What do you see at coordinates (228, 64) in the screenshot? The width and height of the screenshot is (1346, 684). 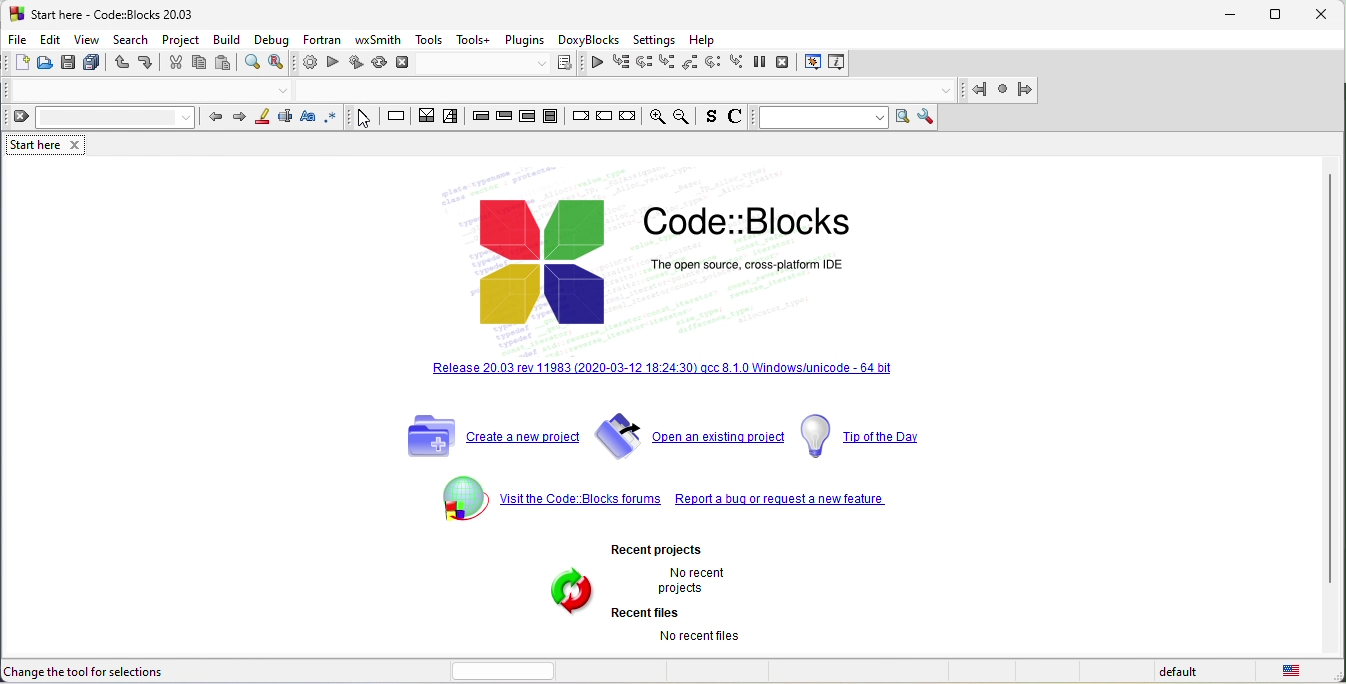 I see `paste` at bounding box center [228, 64].